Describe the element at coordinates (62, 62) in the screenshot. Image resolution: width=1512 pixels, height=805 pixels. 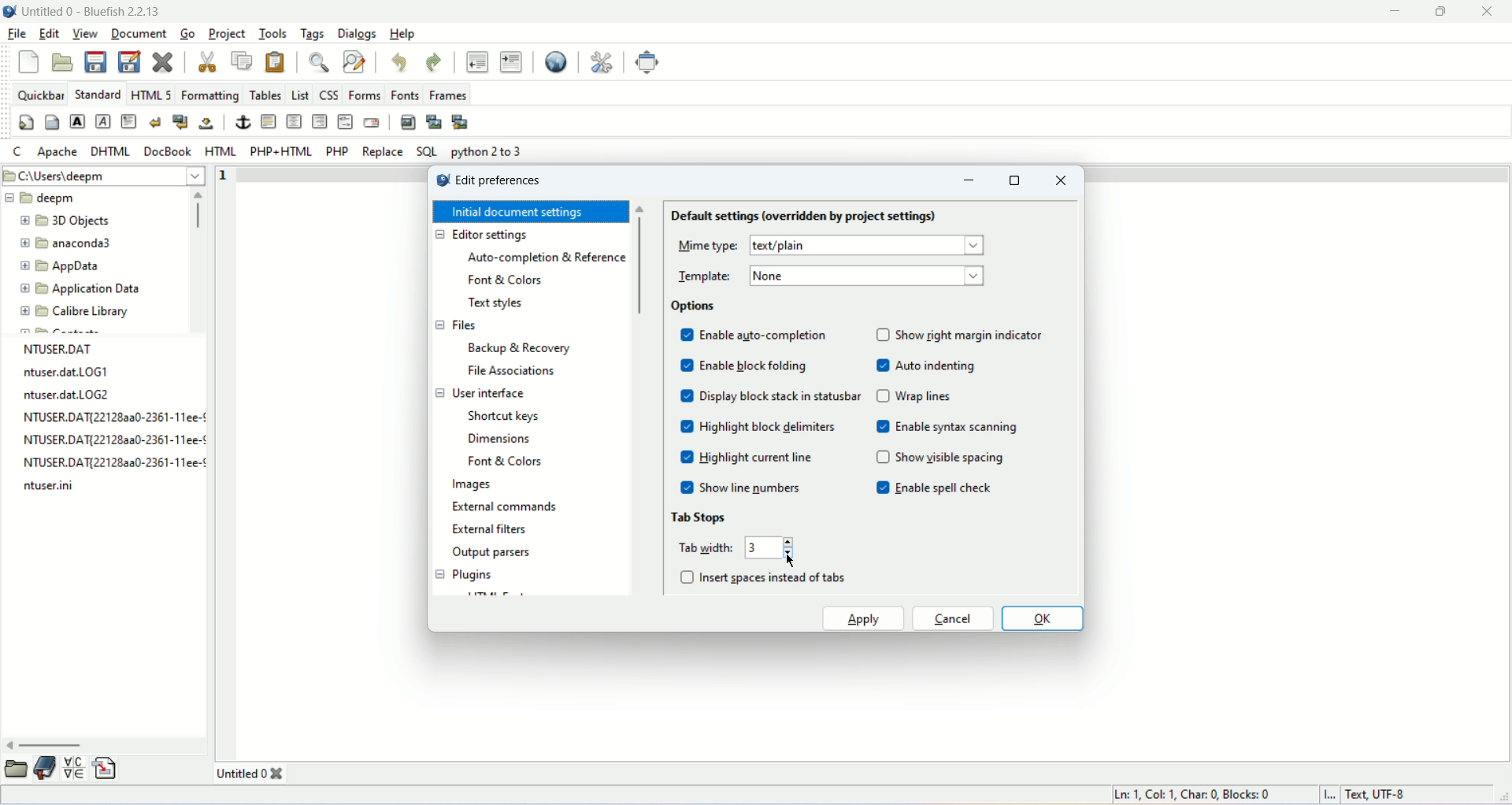
I see `open` at that location.